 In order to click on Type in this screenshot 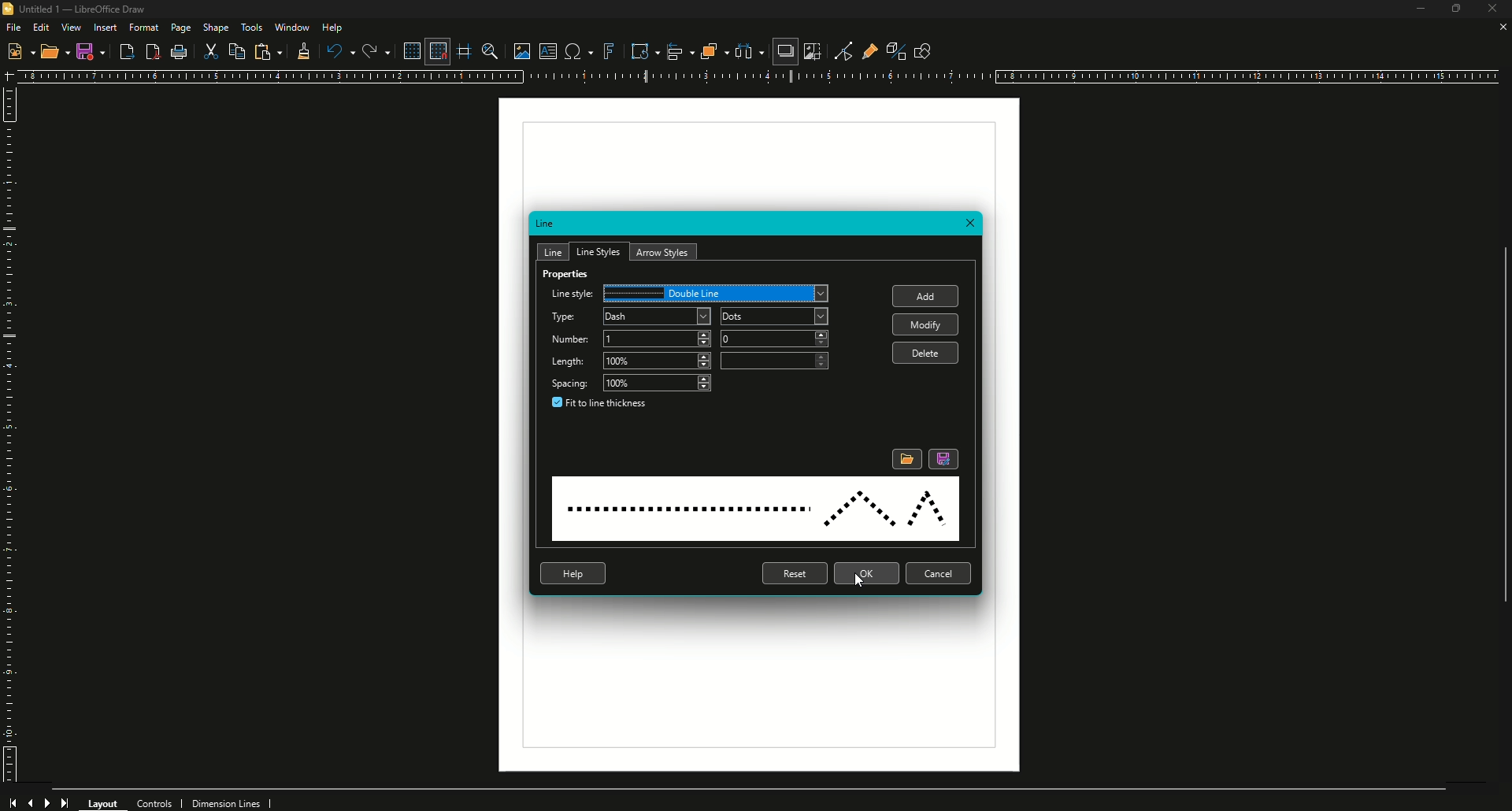, I will do `click(564, 318)`.